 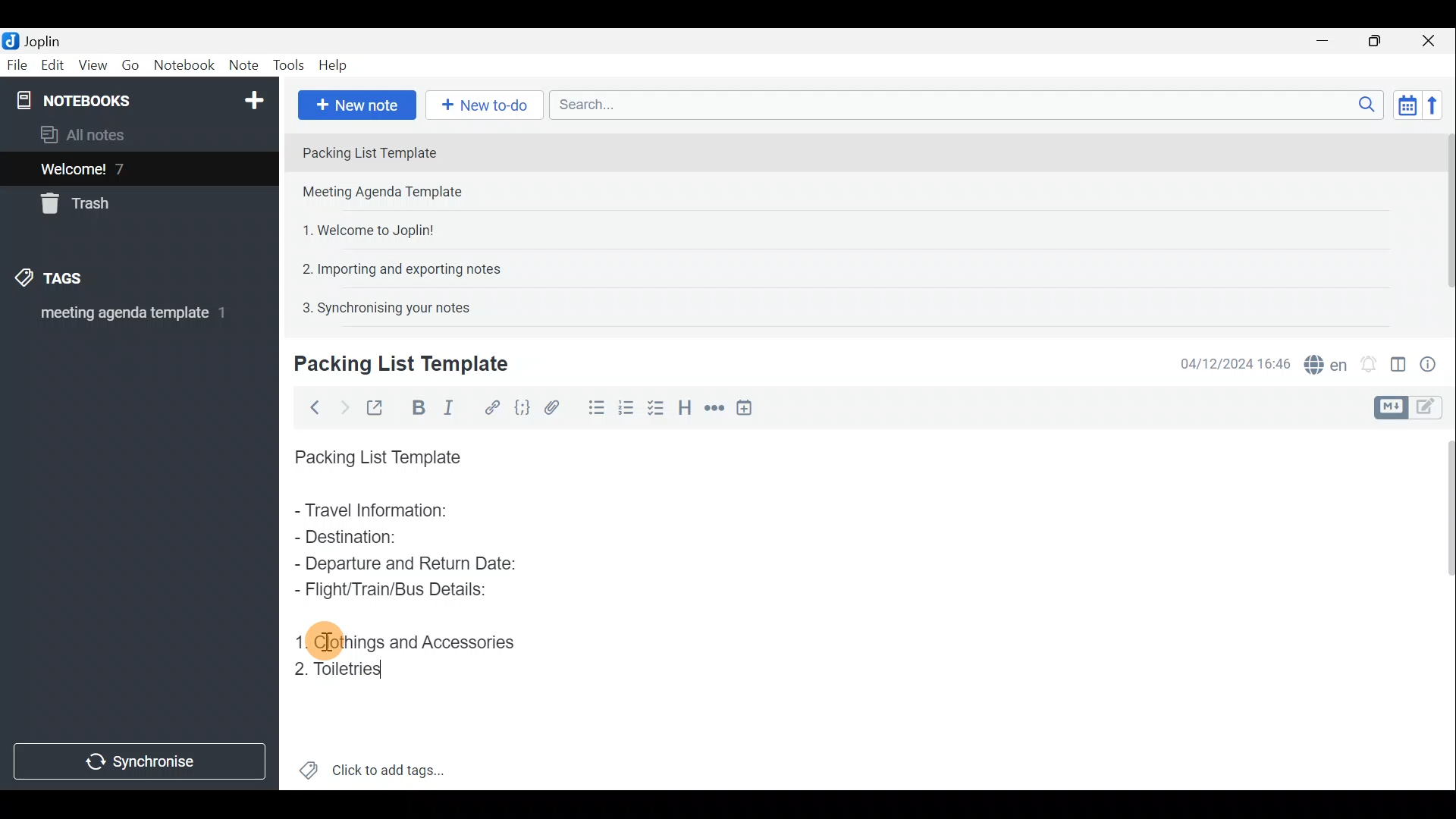 I want to click on Click to add tags, so click(x=372, y=766).